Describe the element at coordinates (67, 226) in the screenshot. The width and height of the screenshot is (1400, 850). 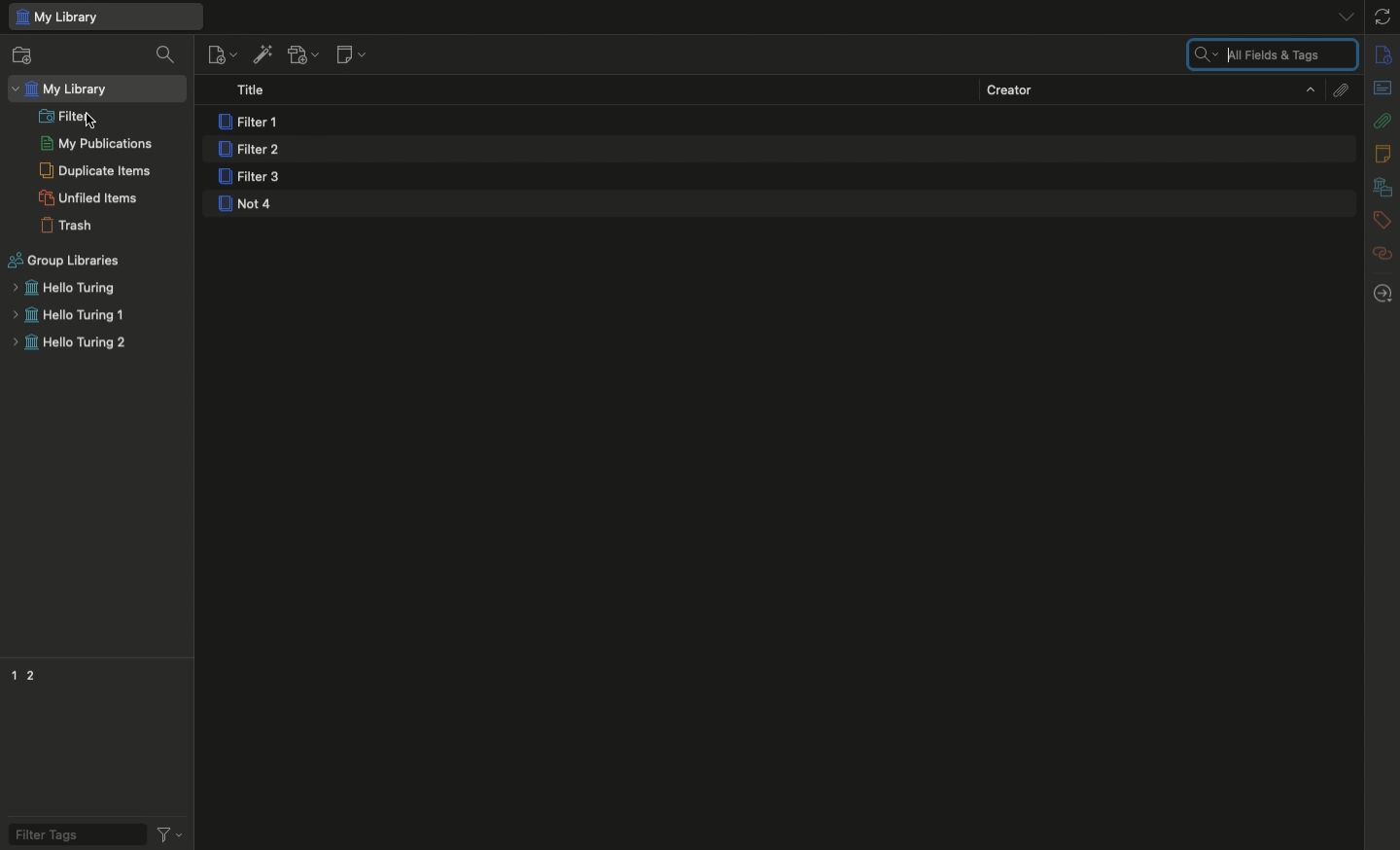
I see `Trash` at that location.